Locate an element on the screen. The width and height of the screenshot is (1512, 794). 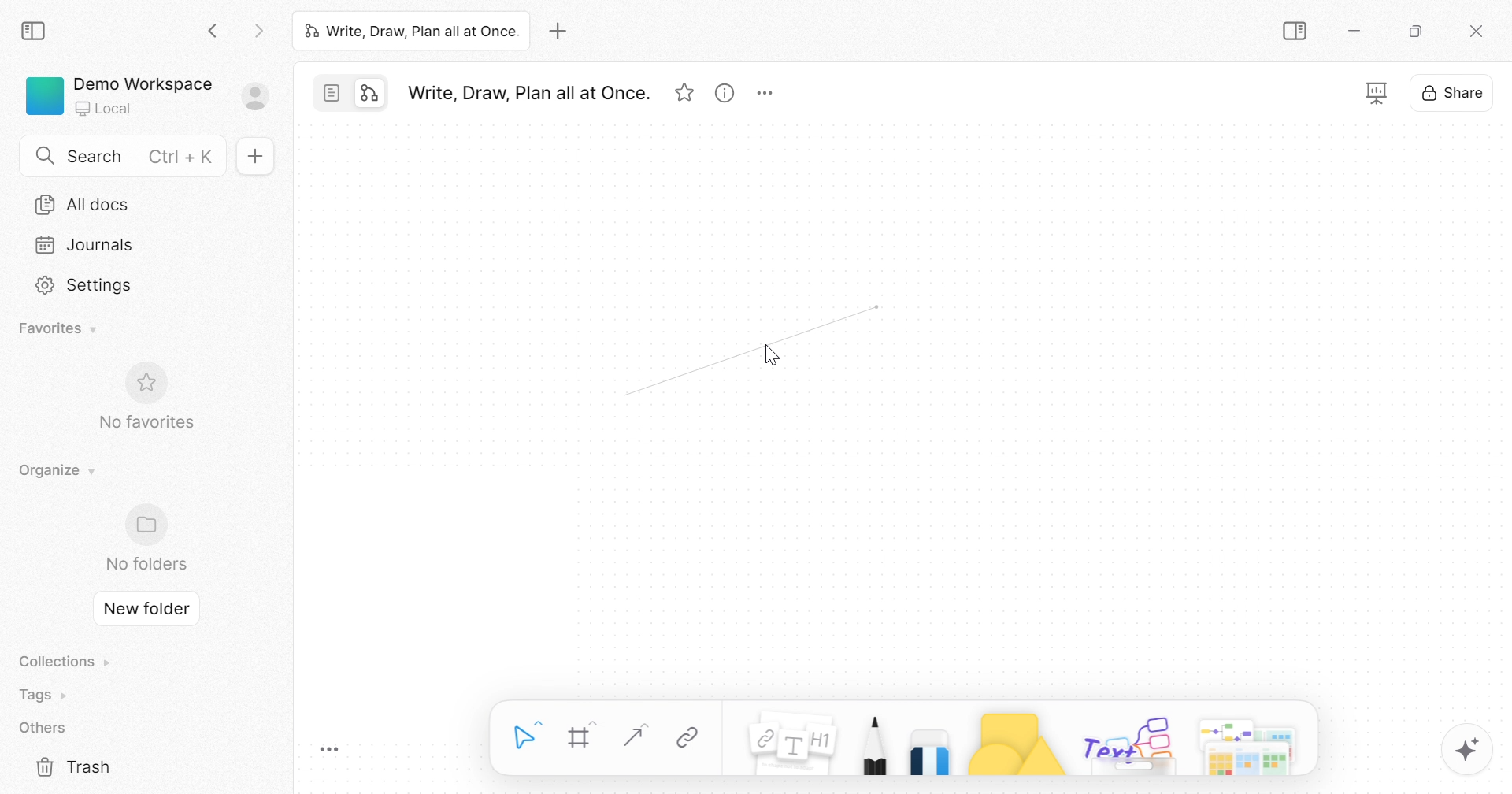
Others is located at coordinates (43, 729).